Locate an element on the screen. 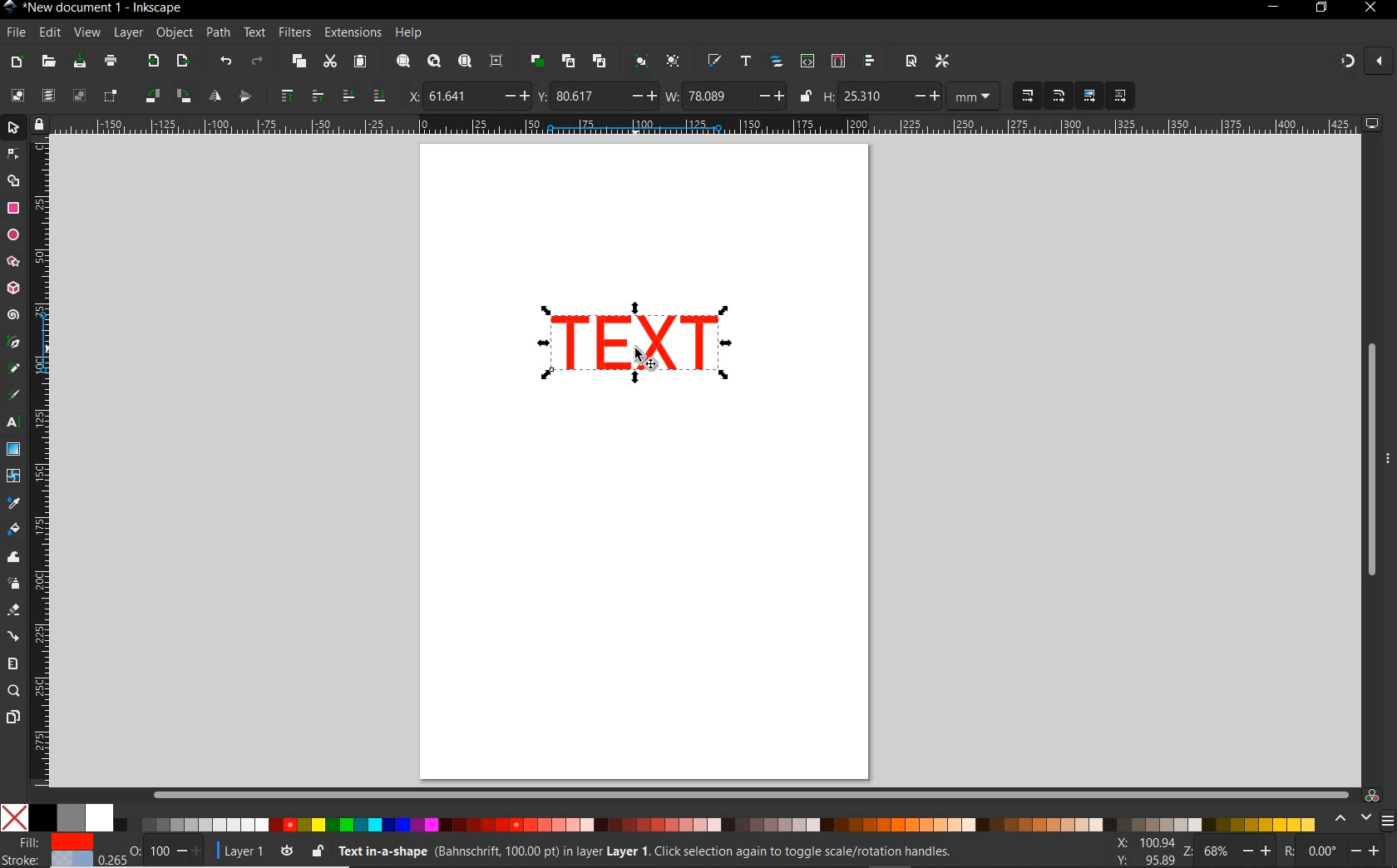 The image size is (1397, 868). ruler is located at coordinates (42, 466).